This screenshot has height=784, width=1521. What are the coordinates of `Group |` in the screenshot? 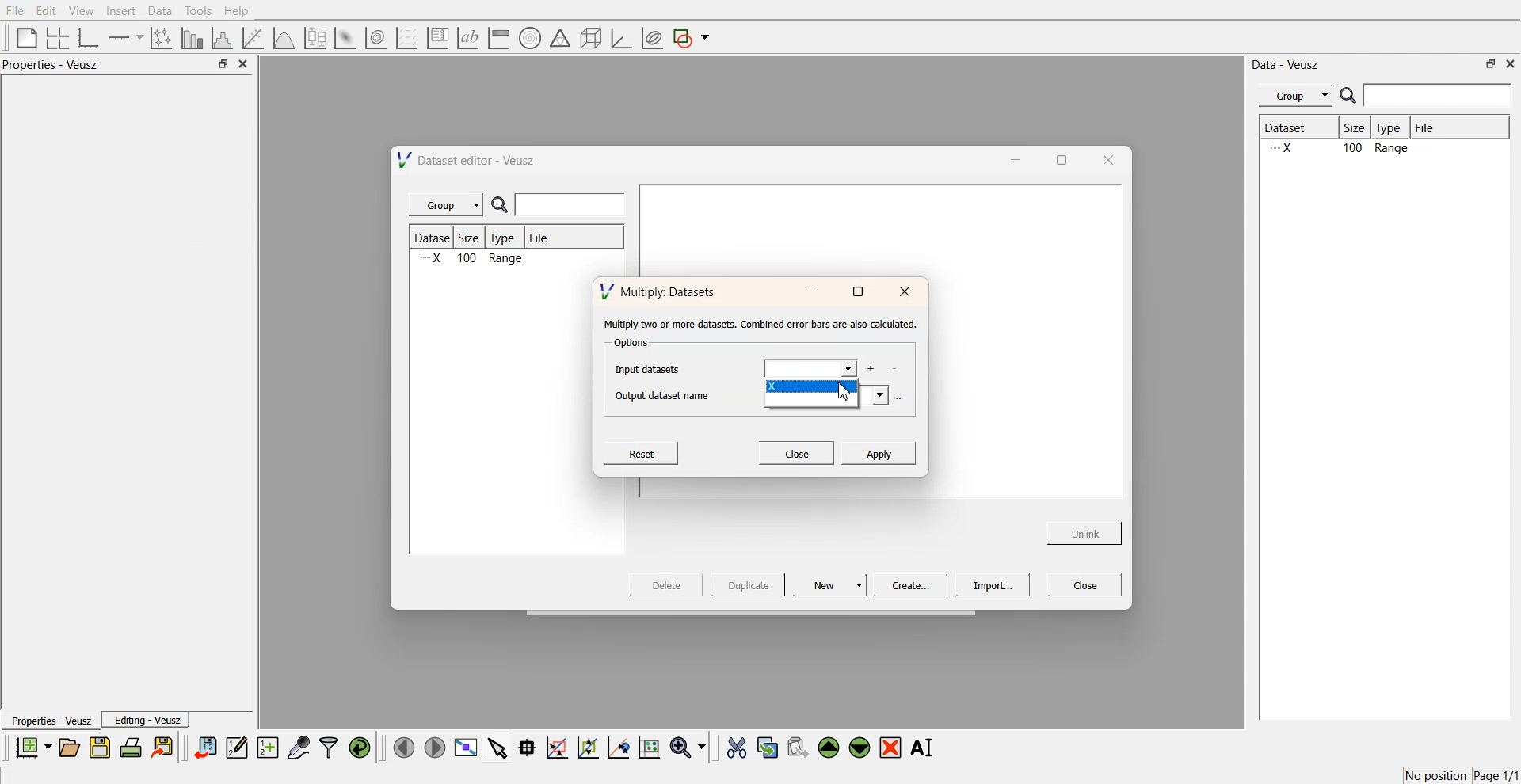 It's located at (448, 205).